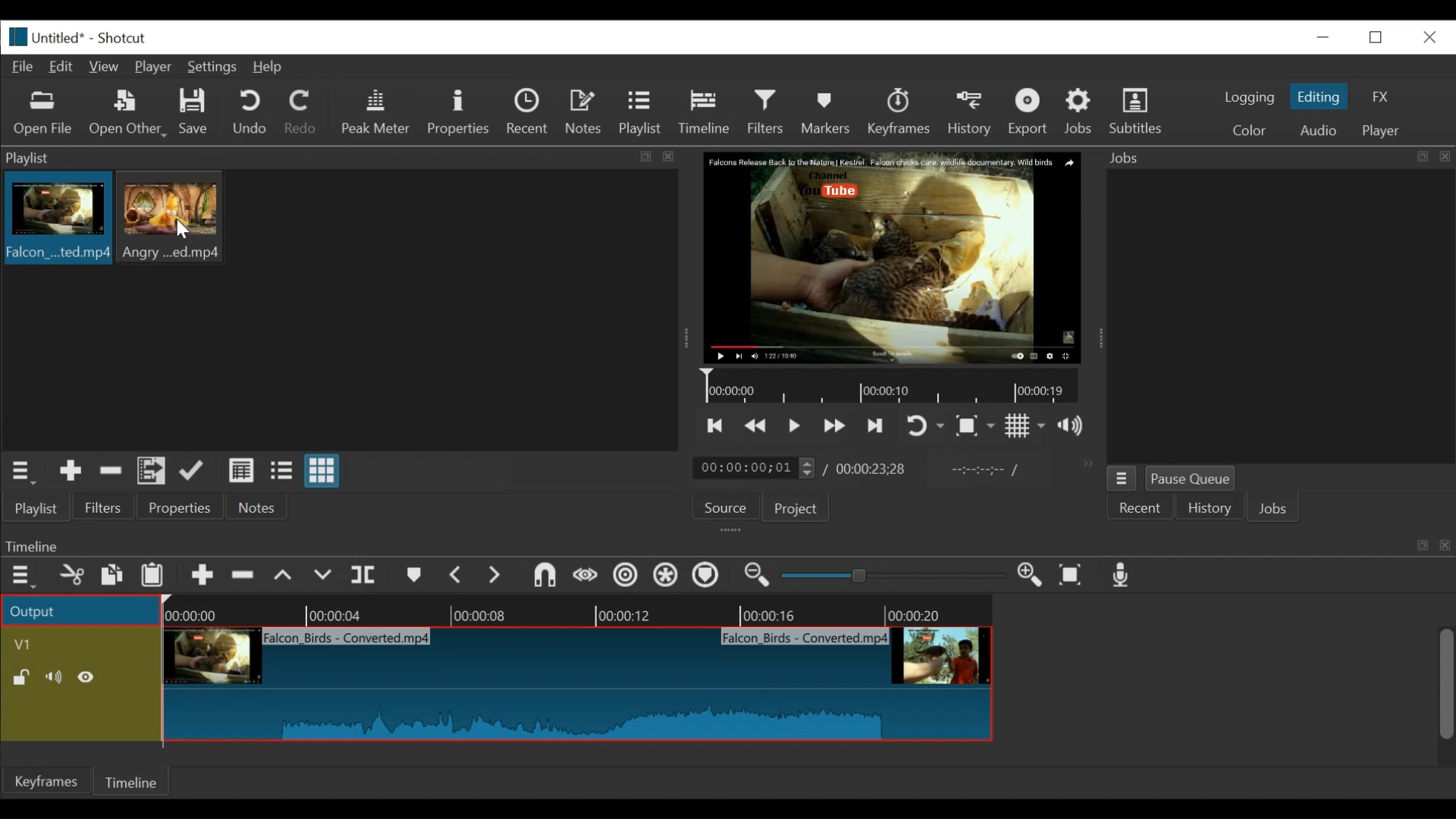 The image size is (1456, 819). What do you see at coordinates (113, 577) in the screenshot?
I see `copy` at bounding box center [113, 577].